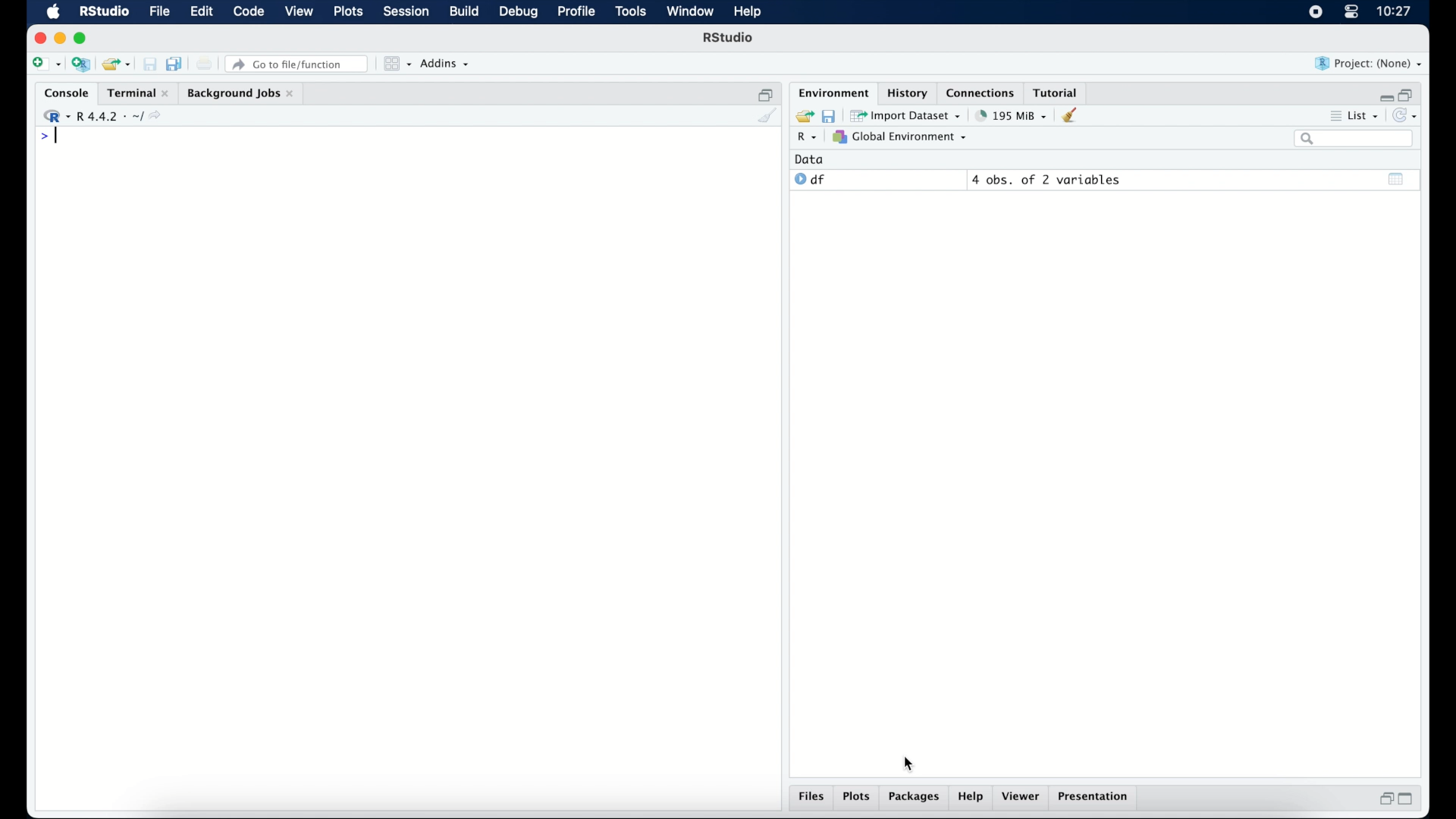  Describe the element at coordinates (1407, 117) in the screenshot. I see `refresh` at that location.